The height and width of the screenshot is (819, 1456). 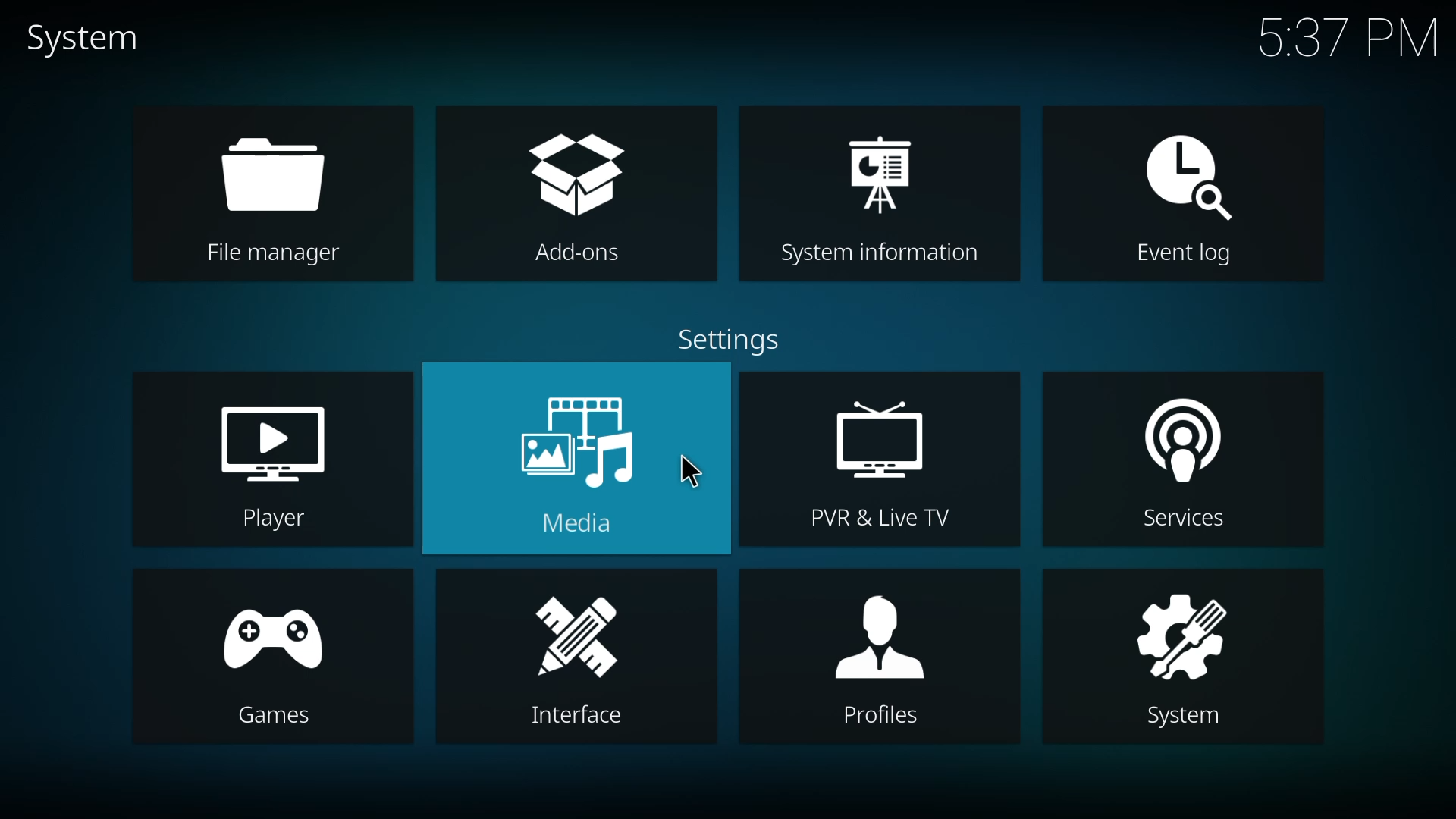 What do you see at coordinates (267, 254) in the screenshot?
I see `File manager` at bounding box center [267, 254].